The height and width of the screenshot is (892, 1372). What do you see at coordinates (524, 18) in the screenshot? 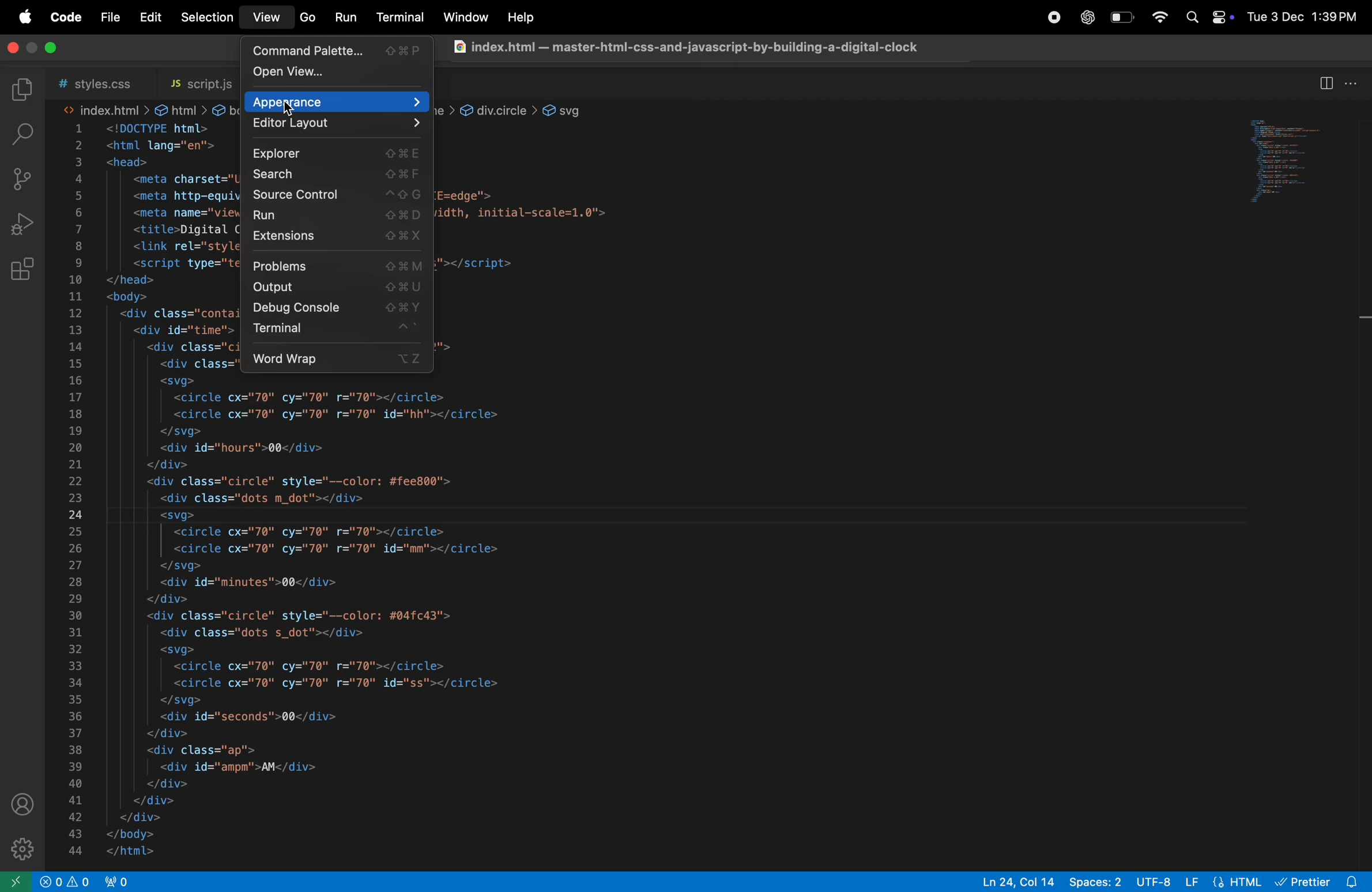
I see `help` at bounding box center [524, 18].